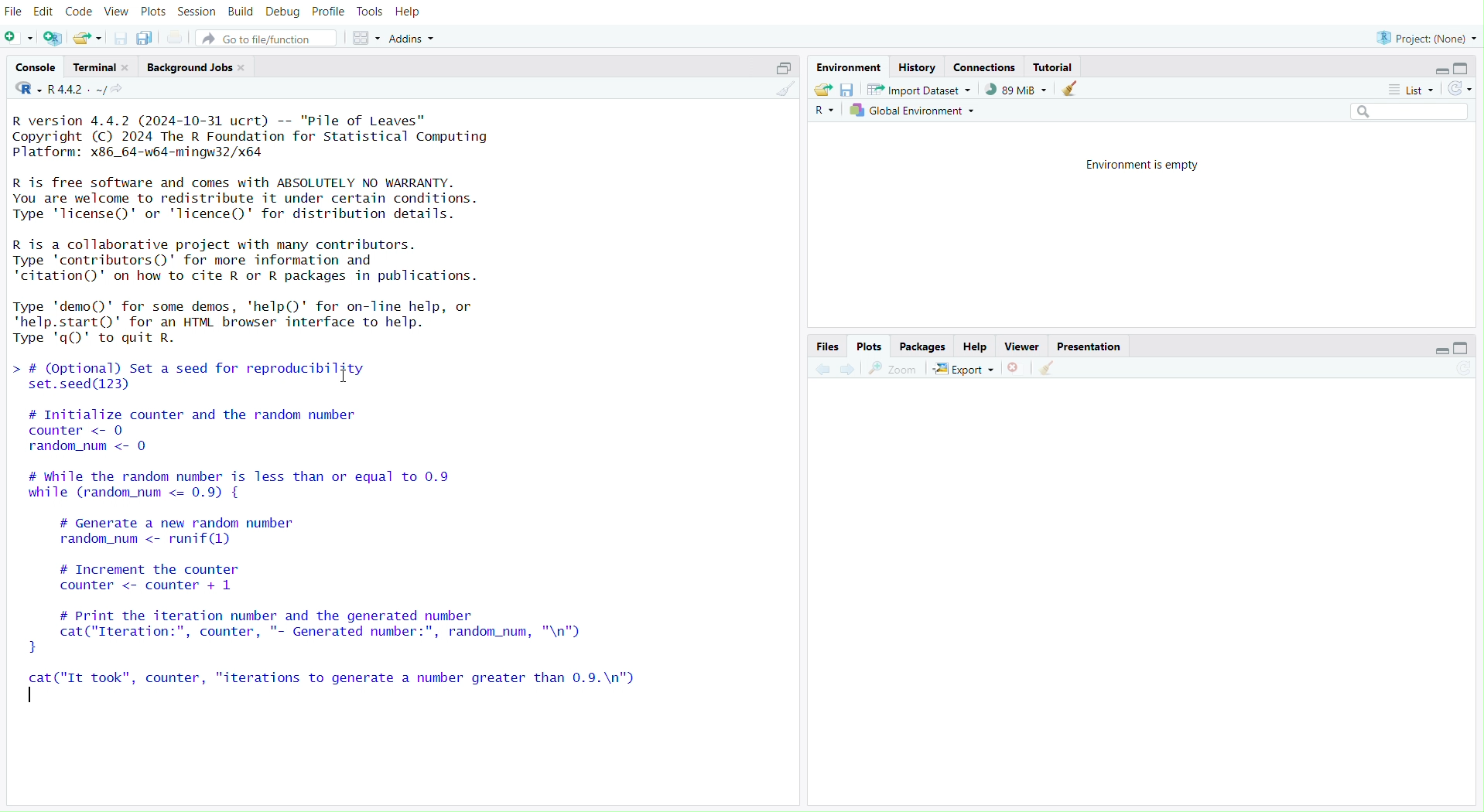 Image resolution: width=1484 pixels, height=812 pixels. I want to click on Close, so click(1018, 367).